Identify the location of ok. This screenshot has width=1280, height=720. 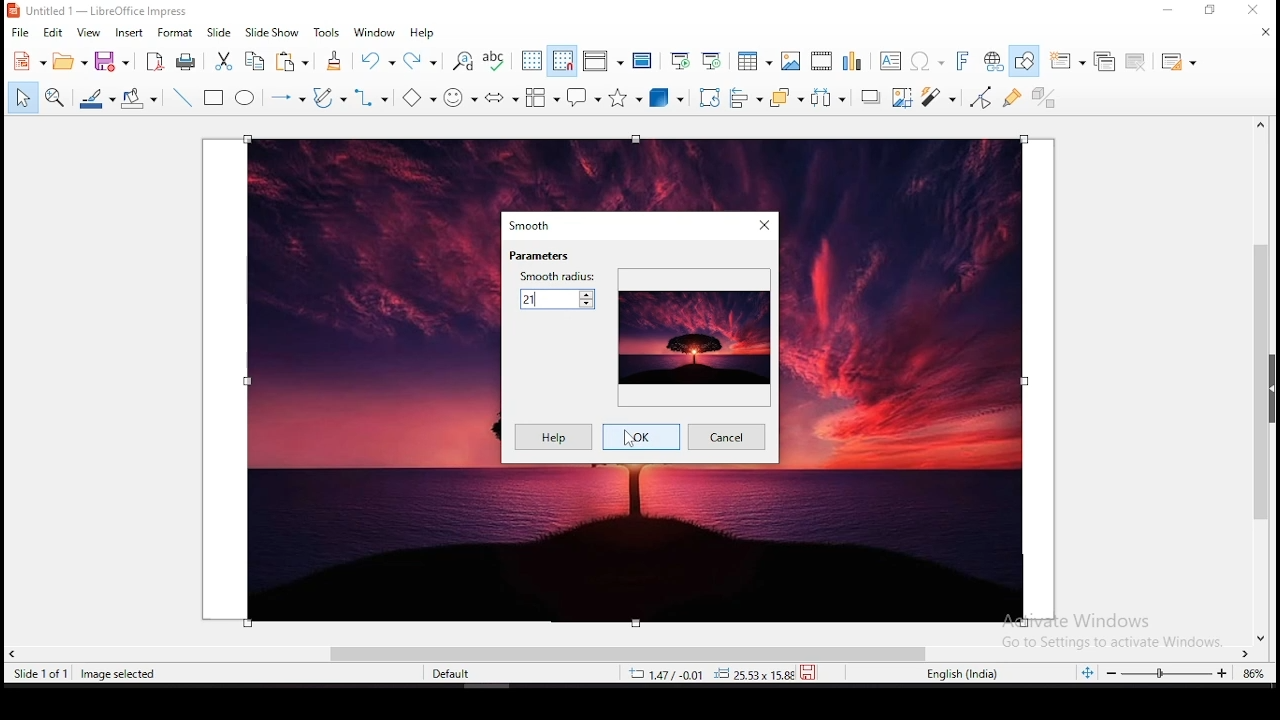
(640, 437).